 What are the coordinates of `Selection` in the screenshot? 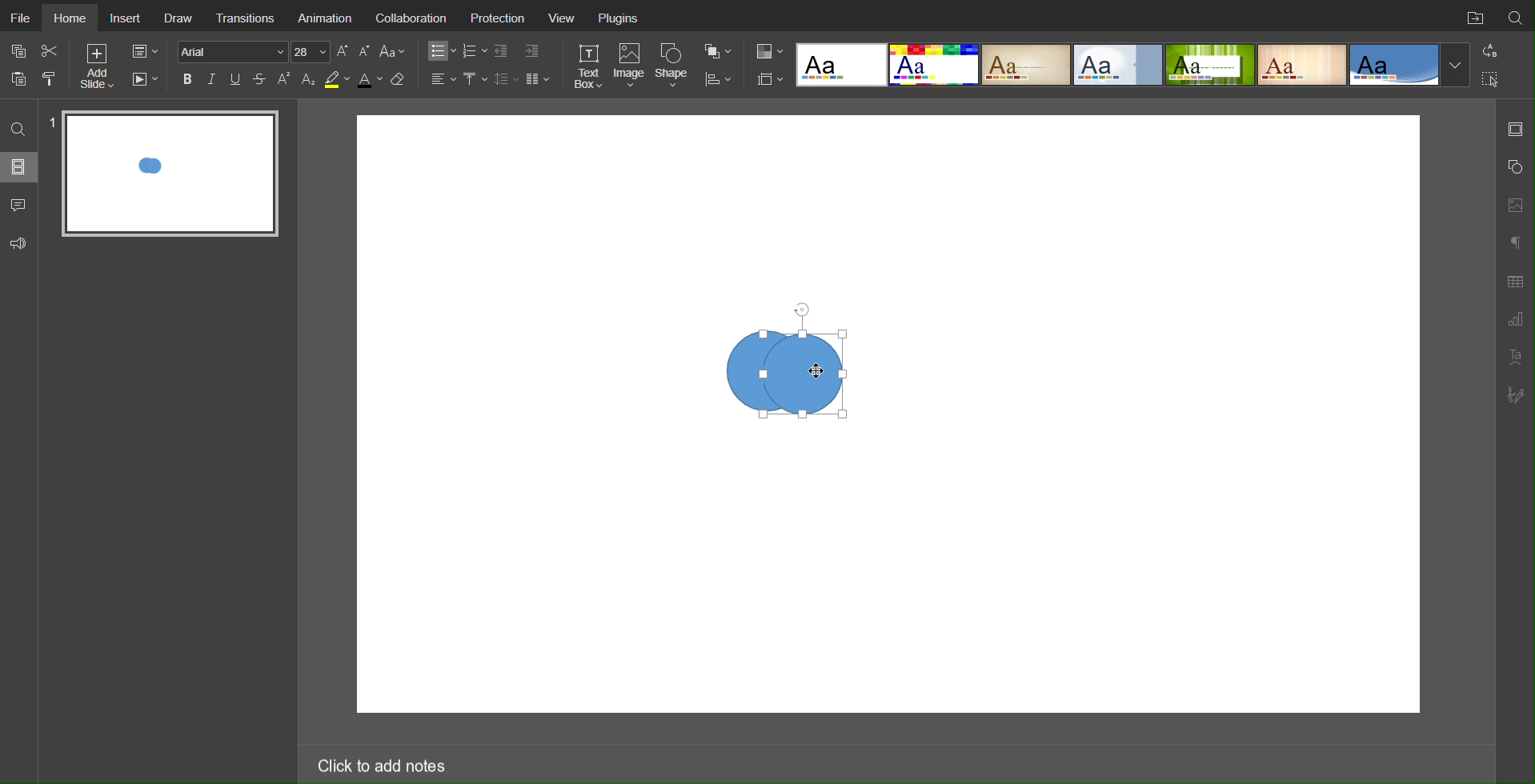 It's located at (1491, 78).